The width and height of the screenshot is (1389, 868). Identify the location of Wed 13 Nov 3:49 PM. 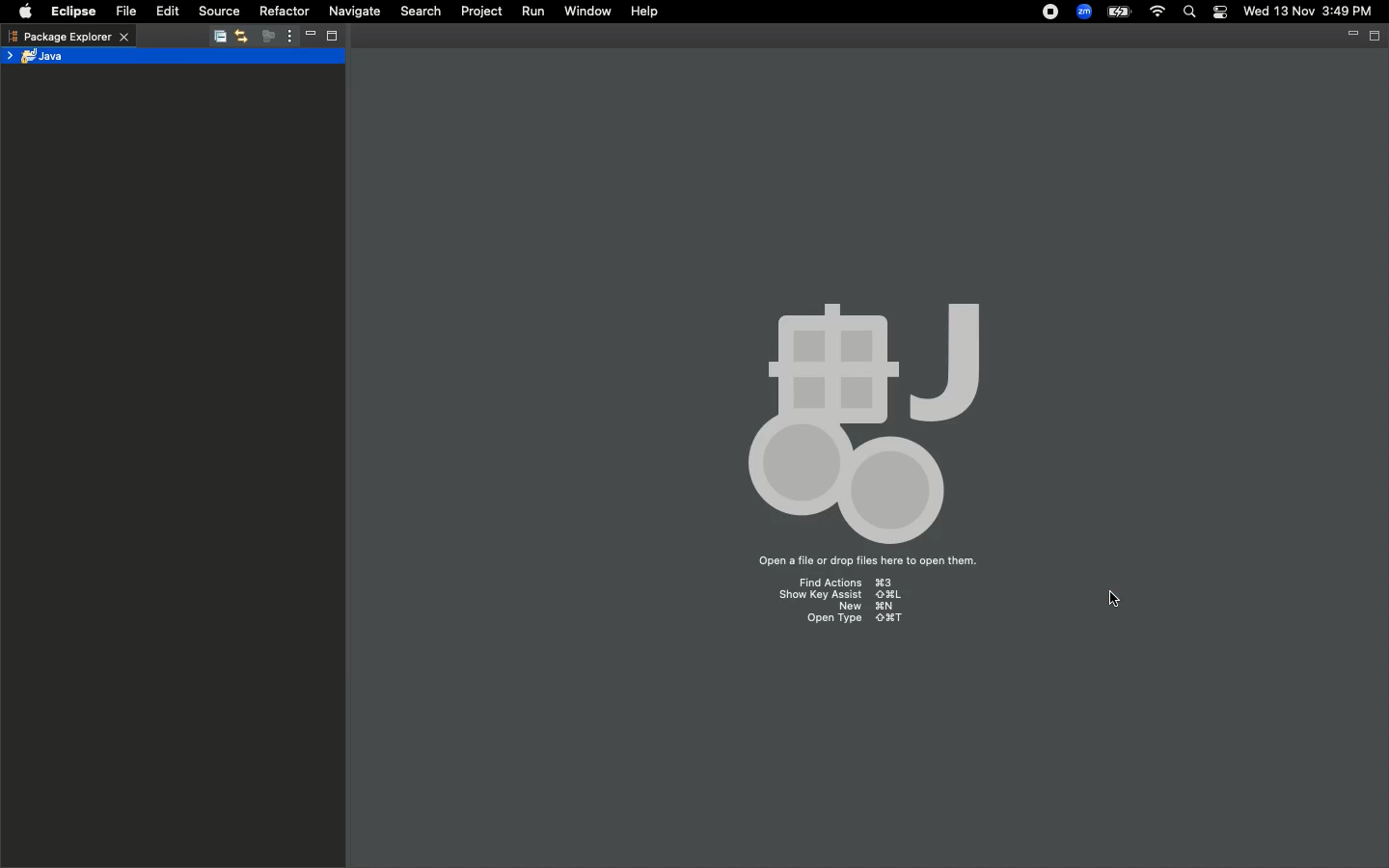
(1309, 10).